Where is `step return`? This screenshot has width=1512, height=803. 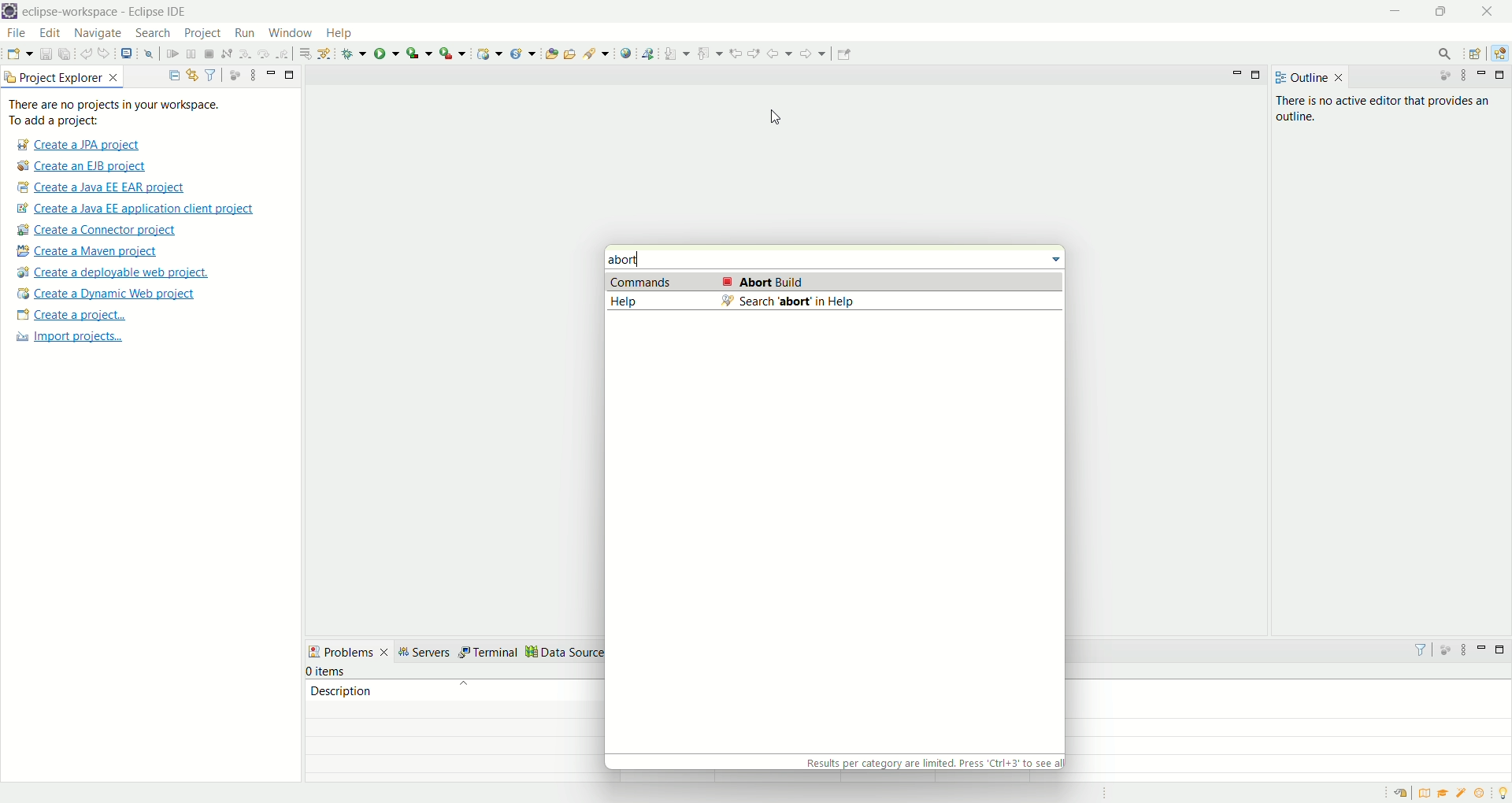
step return is located at coordinates (283, 54).